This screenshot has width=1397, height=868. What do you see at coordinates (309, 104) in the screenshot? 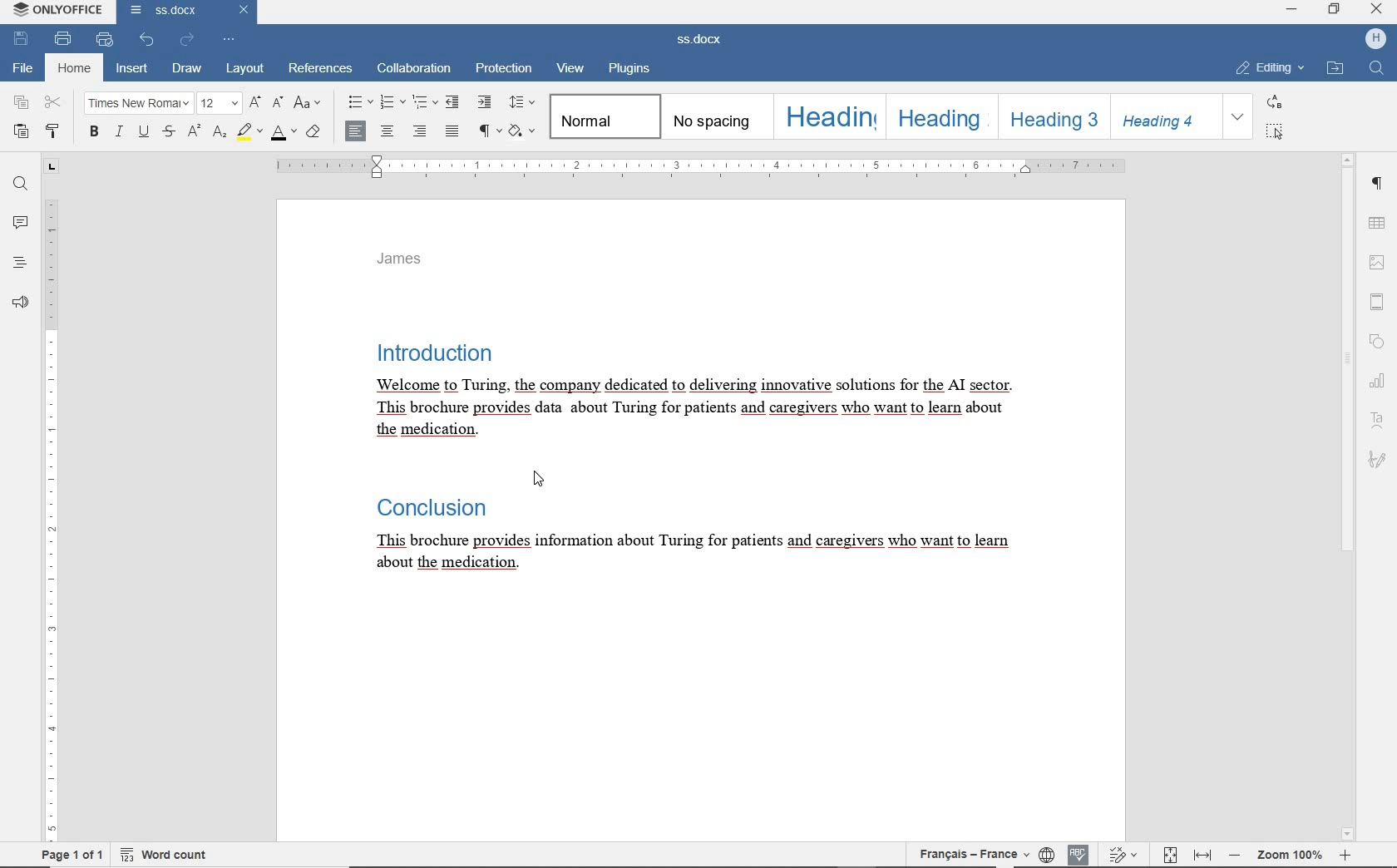
I see `CHANGE CASE` at bounding box center [309, 104].